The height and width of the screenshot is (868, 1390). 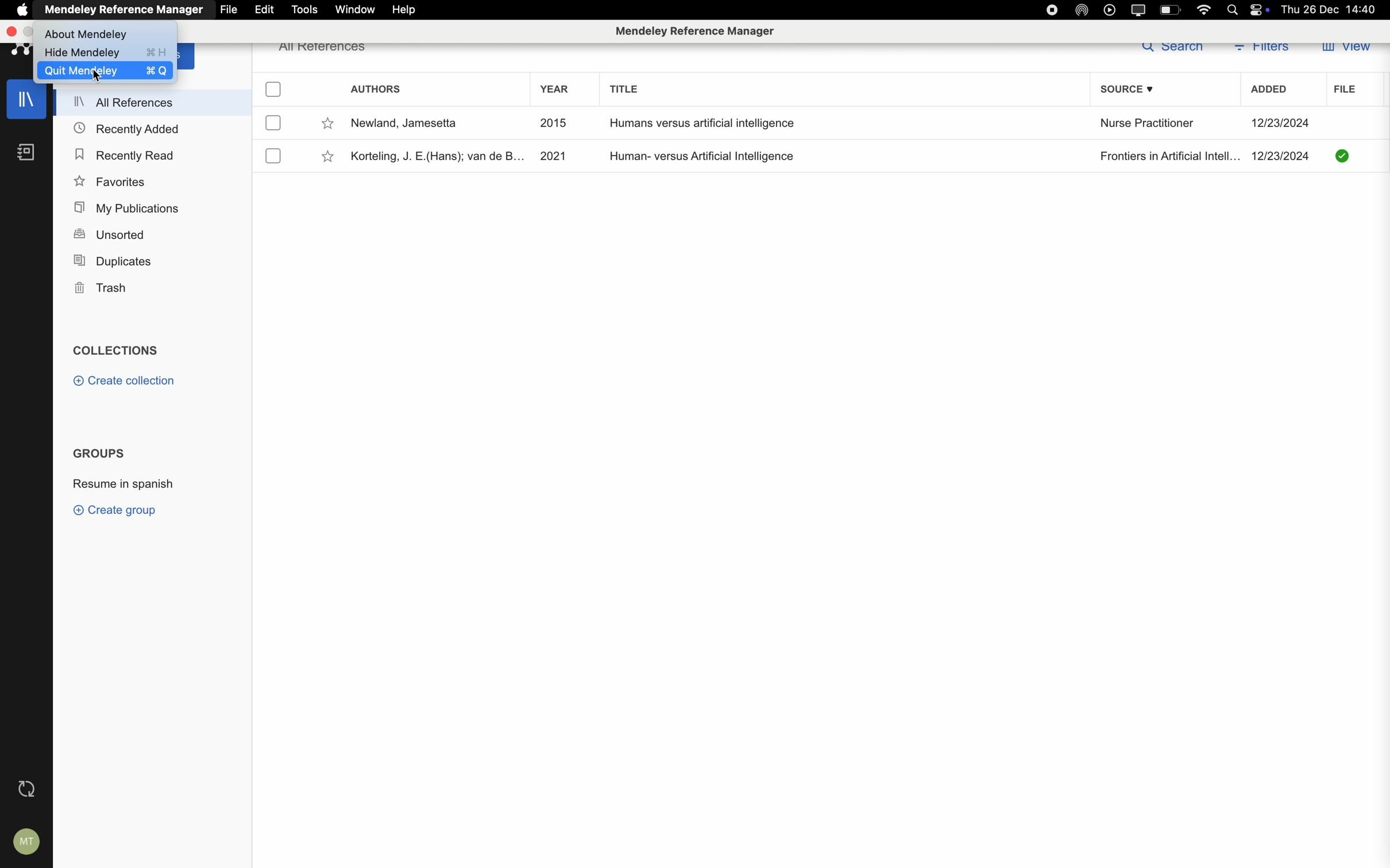 What do you see at coordinates (273, 123) in the screenshot?
I see `check box` at bounding box center [273, 123].